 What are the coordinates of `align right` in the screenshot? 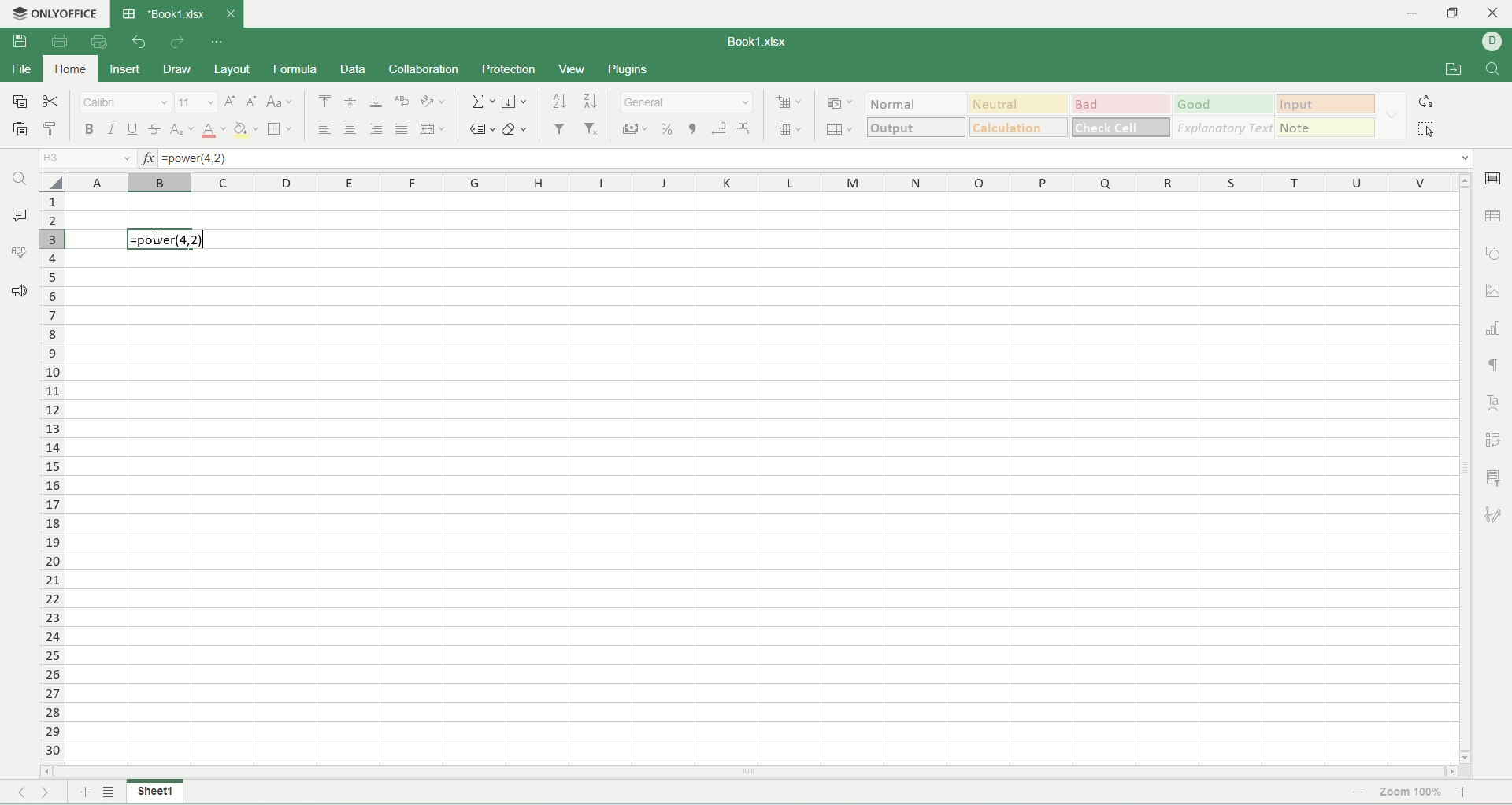 It's located at (376, 128).